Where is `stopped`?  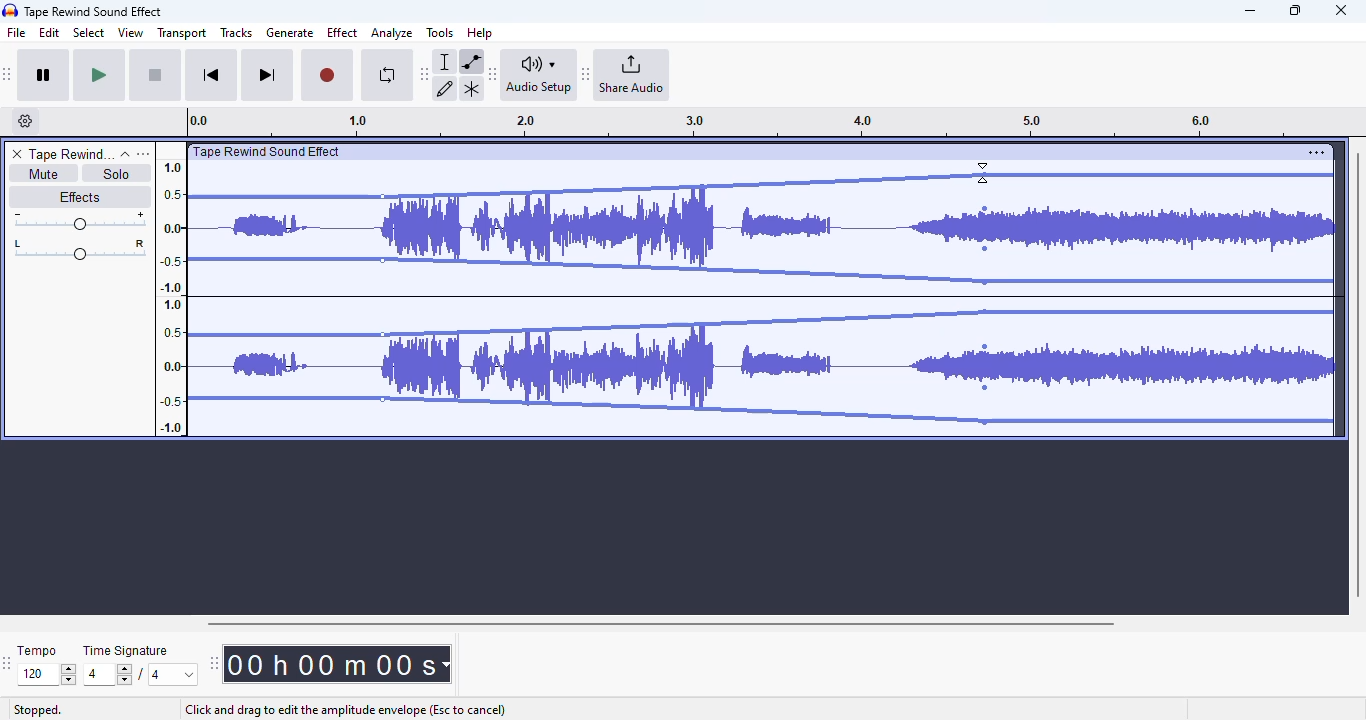 stopped is located at coordinates (38, 711).